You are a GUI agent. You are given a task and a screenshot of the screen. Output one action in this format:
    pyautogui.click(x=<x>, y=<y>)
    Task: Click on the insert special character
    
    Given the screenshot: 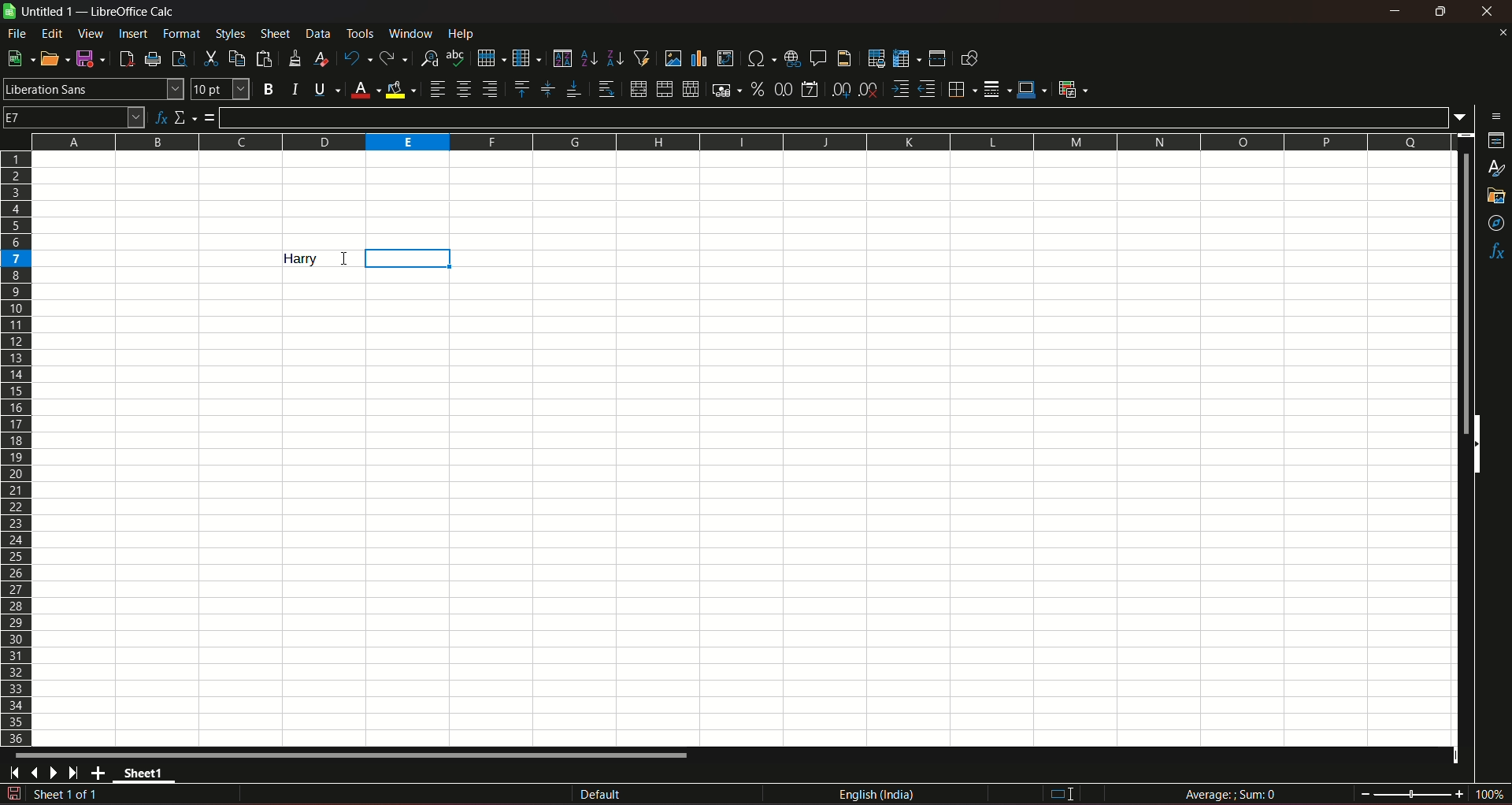 What is the action you would take?
    pyautogui.click(x=759, y=57)
    